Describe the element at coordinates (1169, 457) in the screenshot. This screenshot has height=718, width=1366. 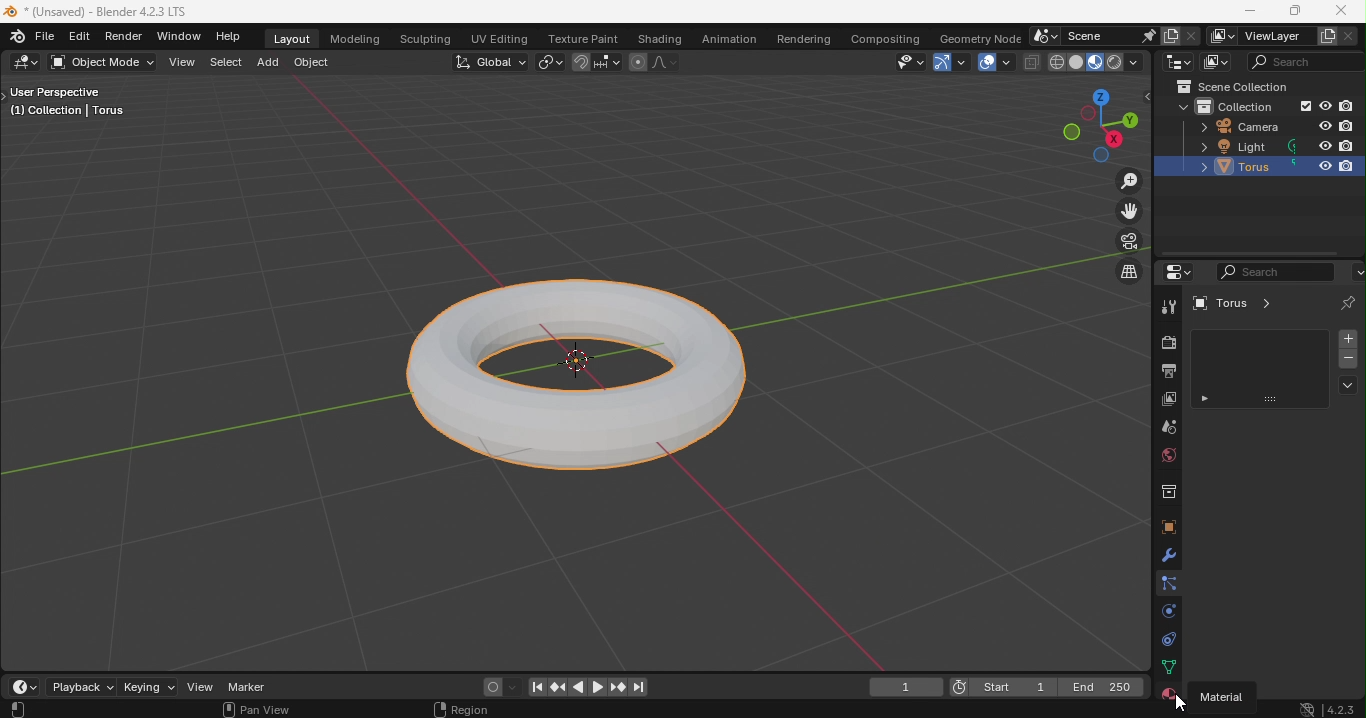
I see `World` at that location.